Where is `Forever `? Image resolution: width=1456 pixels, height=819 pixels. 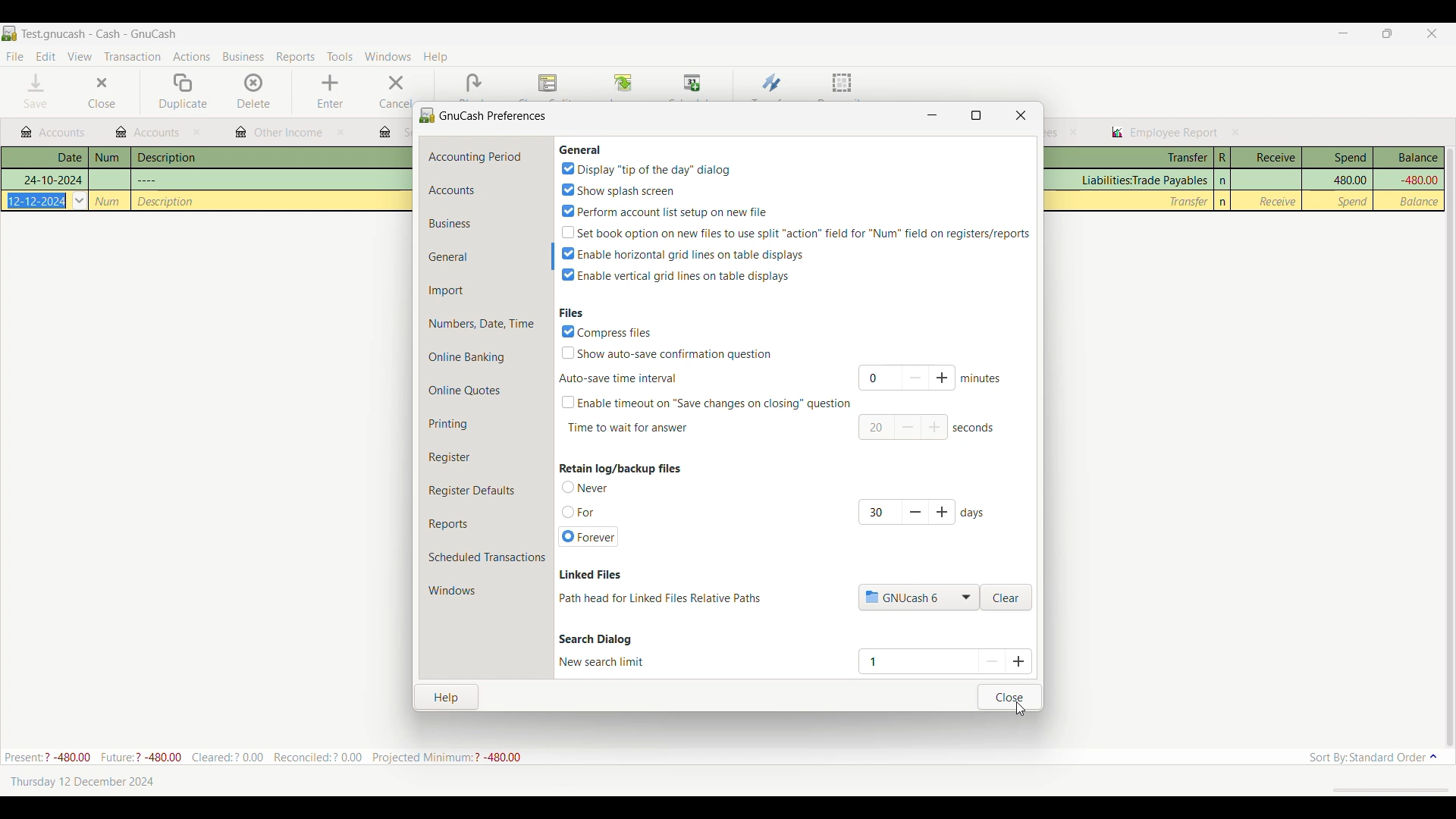 Forever  is located at coordinates (590, 537).